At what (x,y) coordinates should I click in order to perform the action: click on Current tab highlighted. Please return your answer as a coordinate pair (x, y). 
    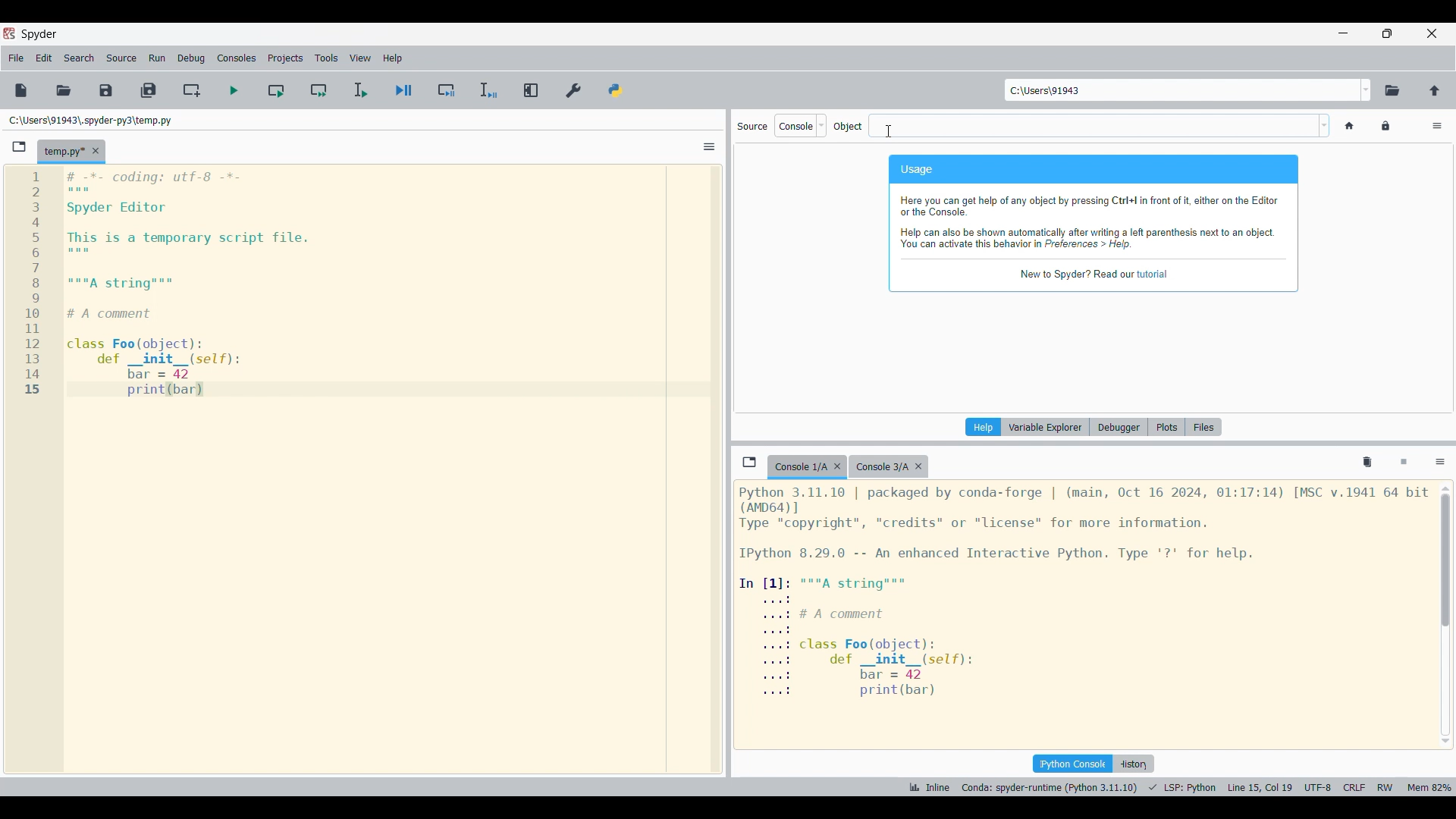
    Looking at the image, I should click on (799, 467).